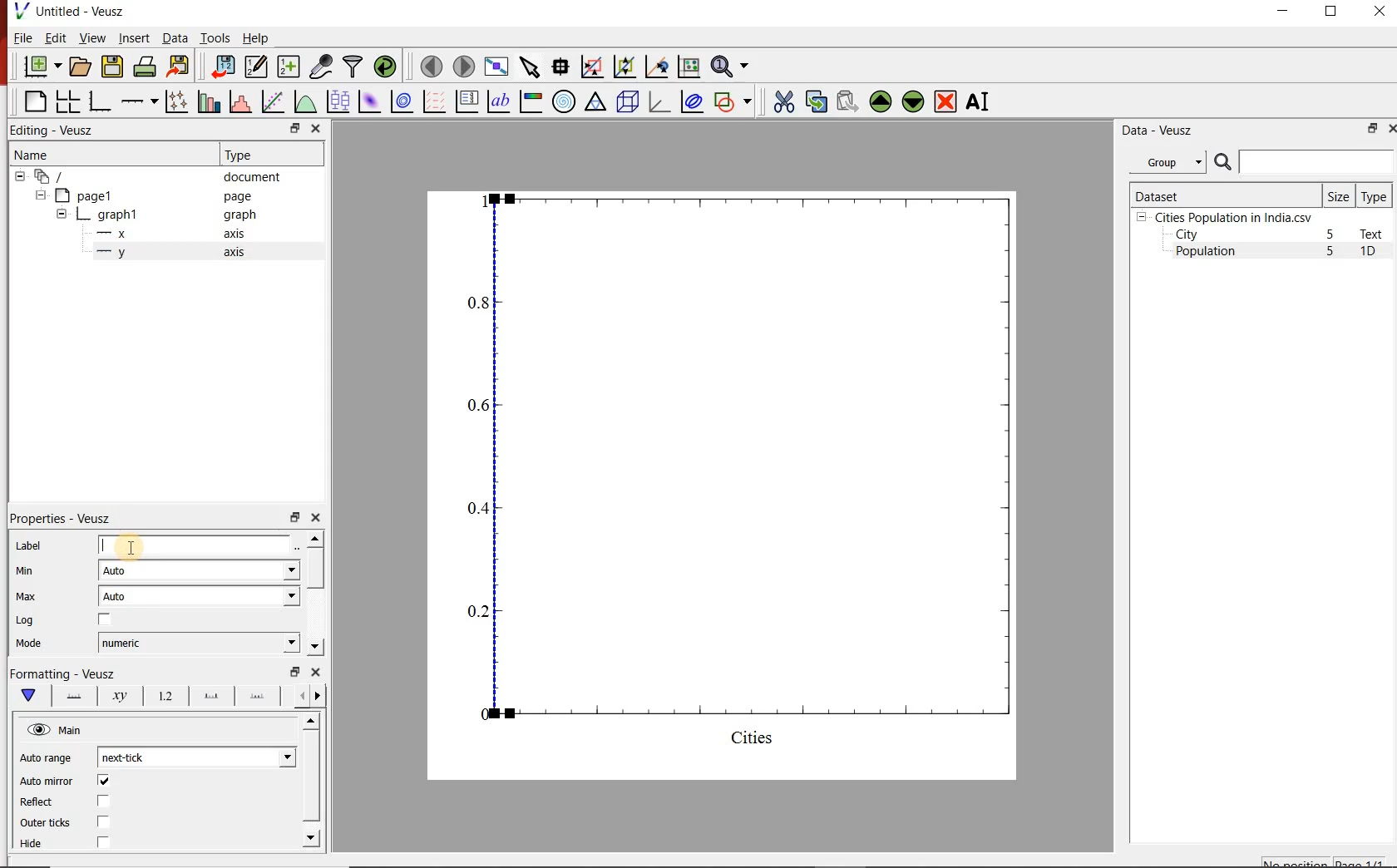  What do you see at coordinates (123, 541) in the screenshot?
I see `cursor` at bounding box center [123, 541].